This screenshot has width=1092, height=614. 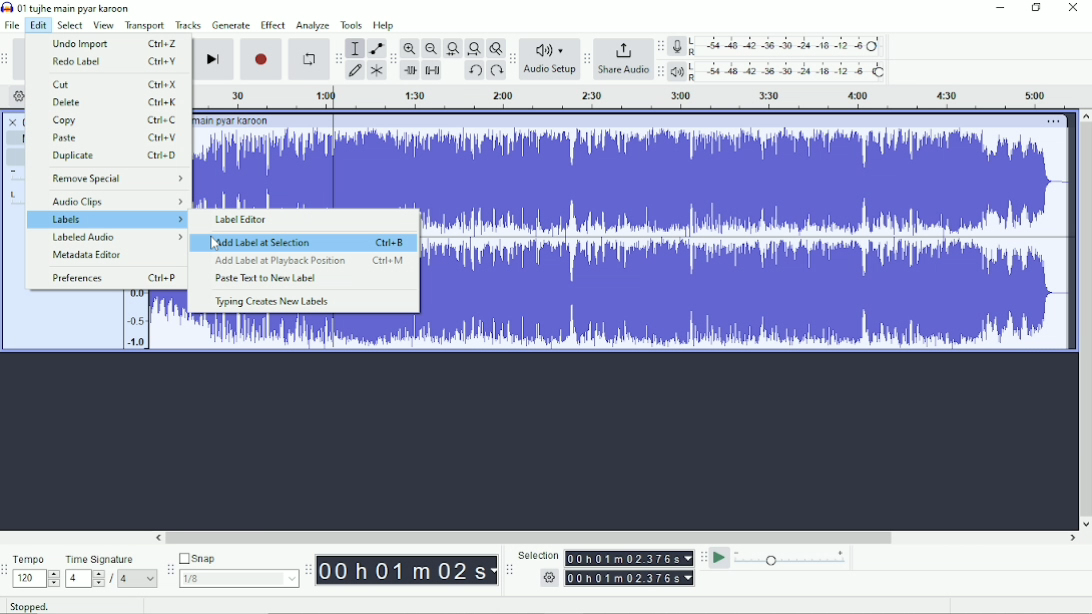 What do you see at coordinates (338, 58) in the screenshot?
I see `Audacity tools toolbar` at bounding box center [338, 58].